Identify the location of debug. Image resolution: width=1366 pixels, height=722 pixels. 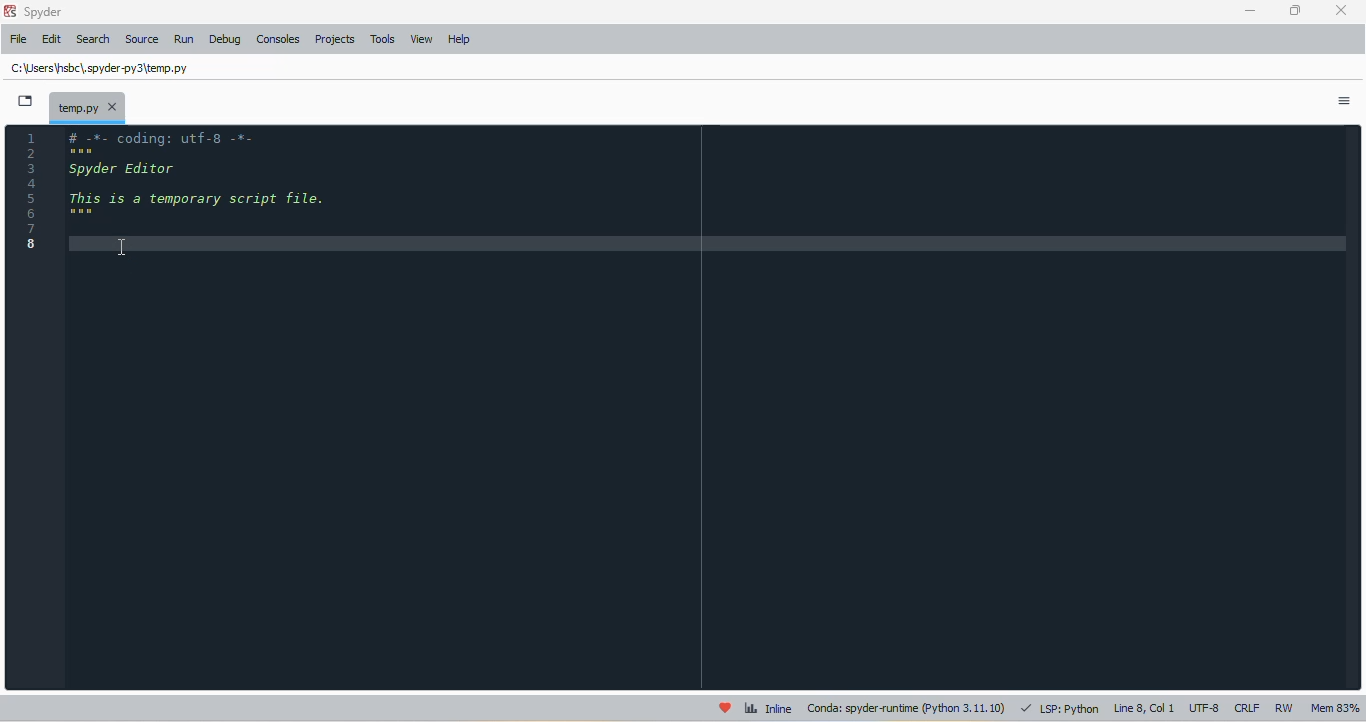
(225, 39).